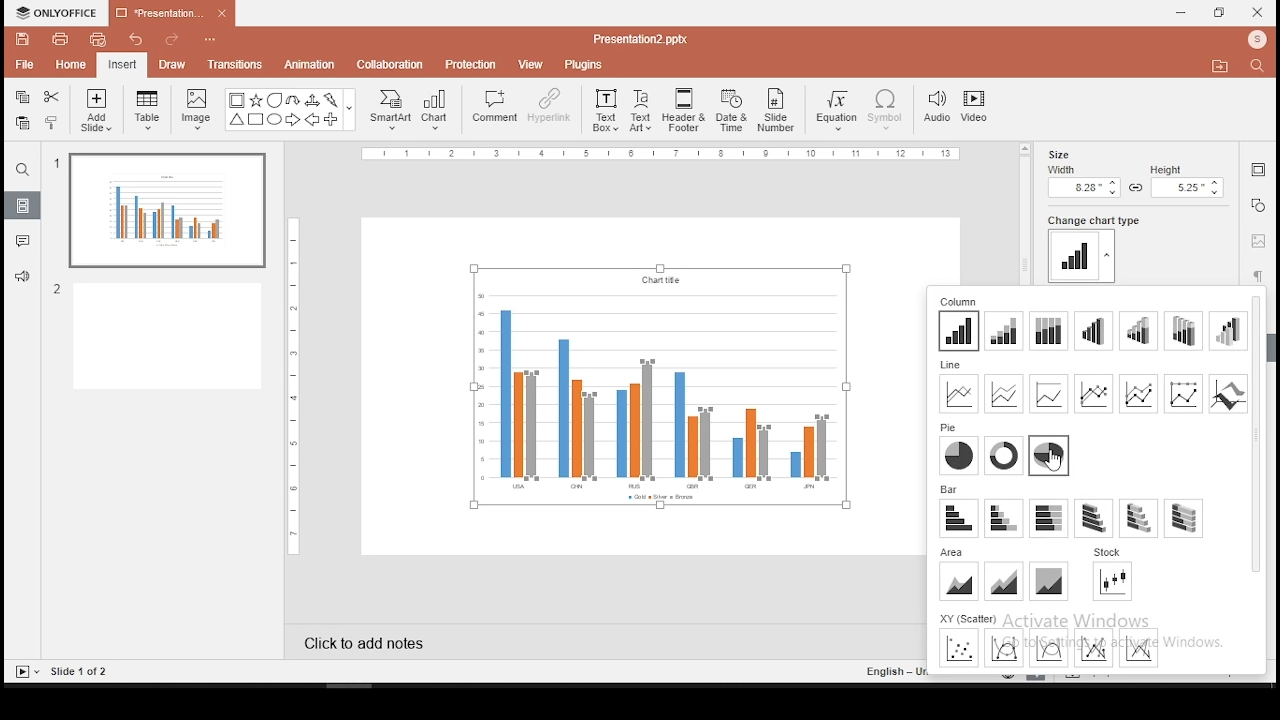 The image size is (1280, 720). Describe the element at coordinates (491, 111) in the screenshot. I see `comment` at that location.